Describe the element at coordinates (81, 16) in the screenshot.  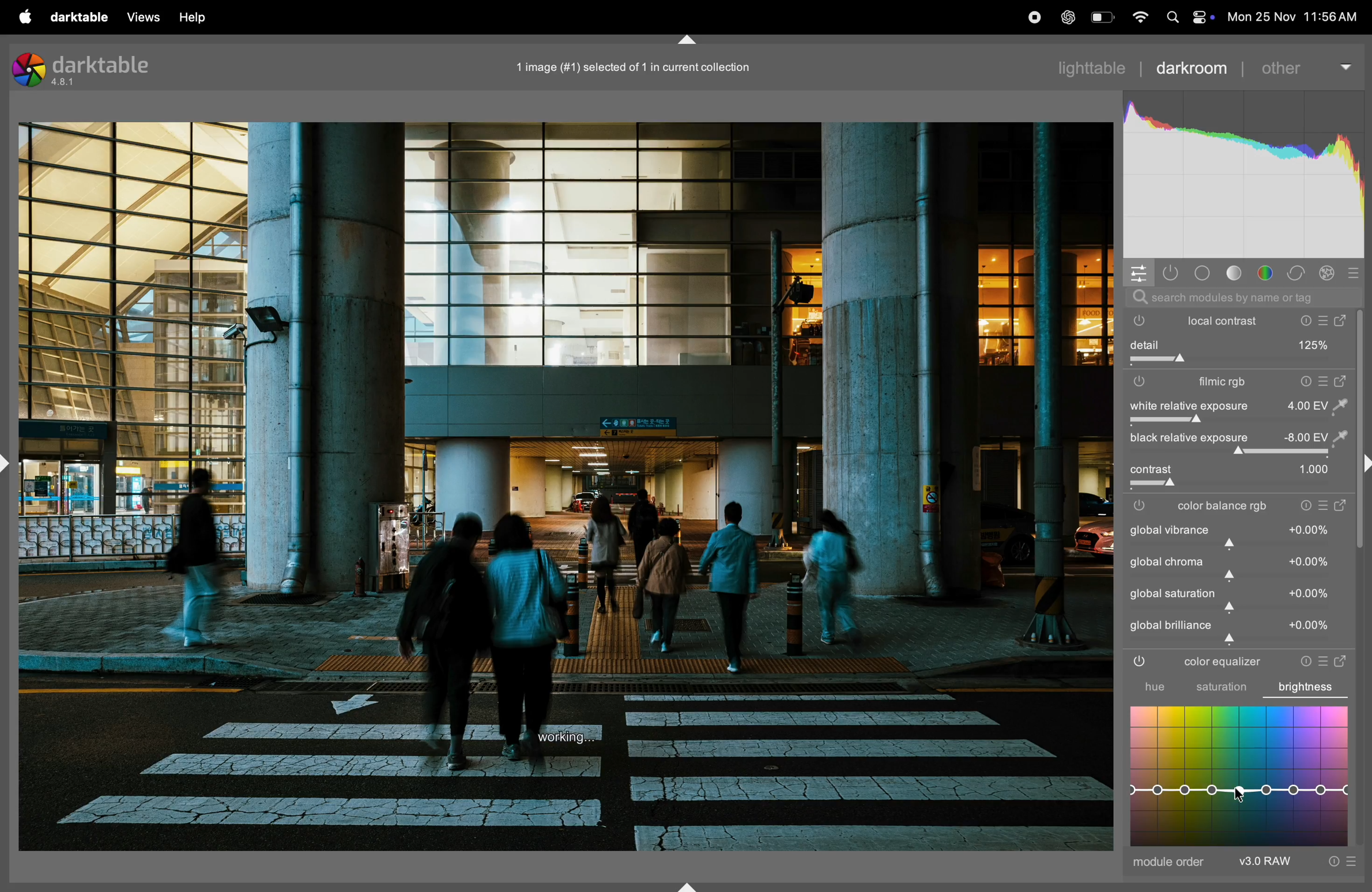
I see `darktable menu` at that location.